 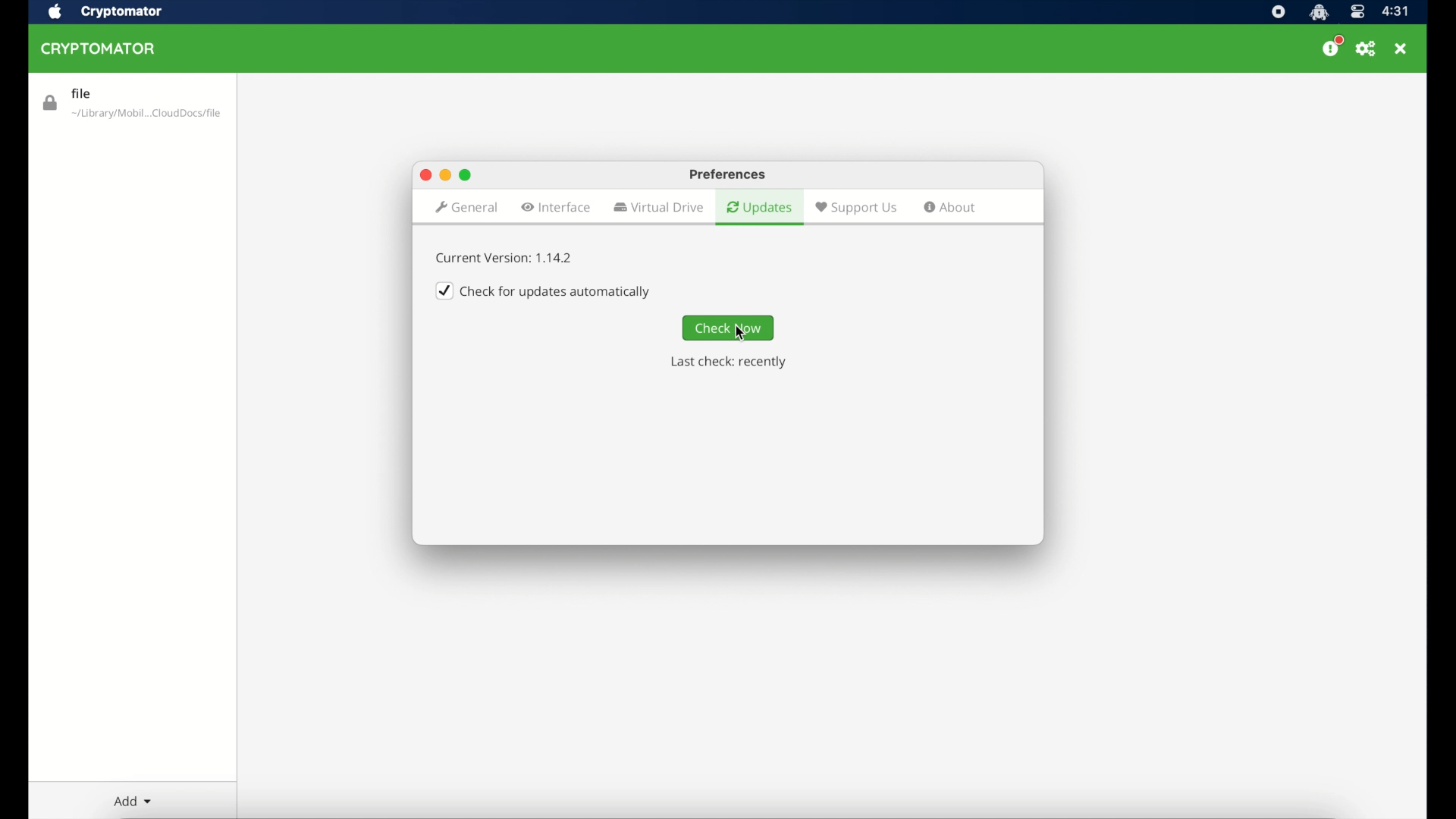 I want to click on cursor, so click(x=745, y=333).